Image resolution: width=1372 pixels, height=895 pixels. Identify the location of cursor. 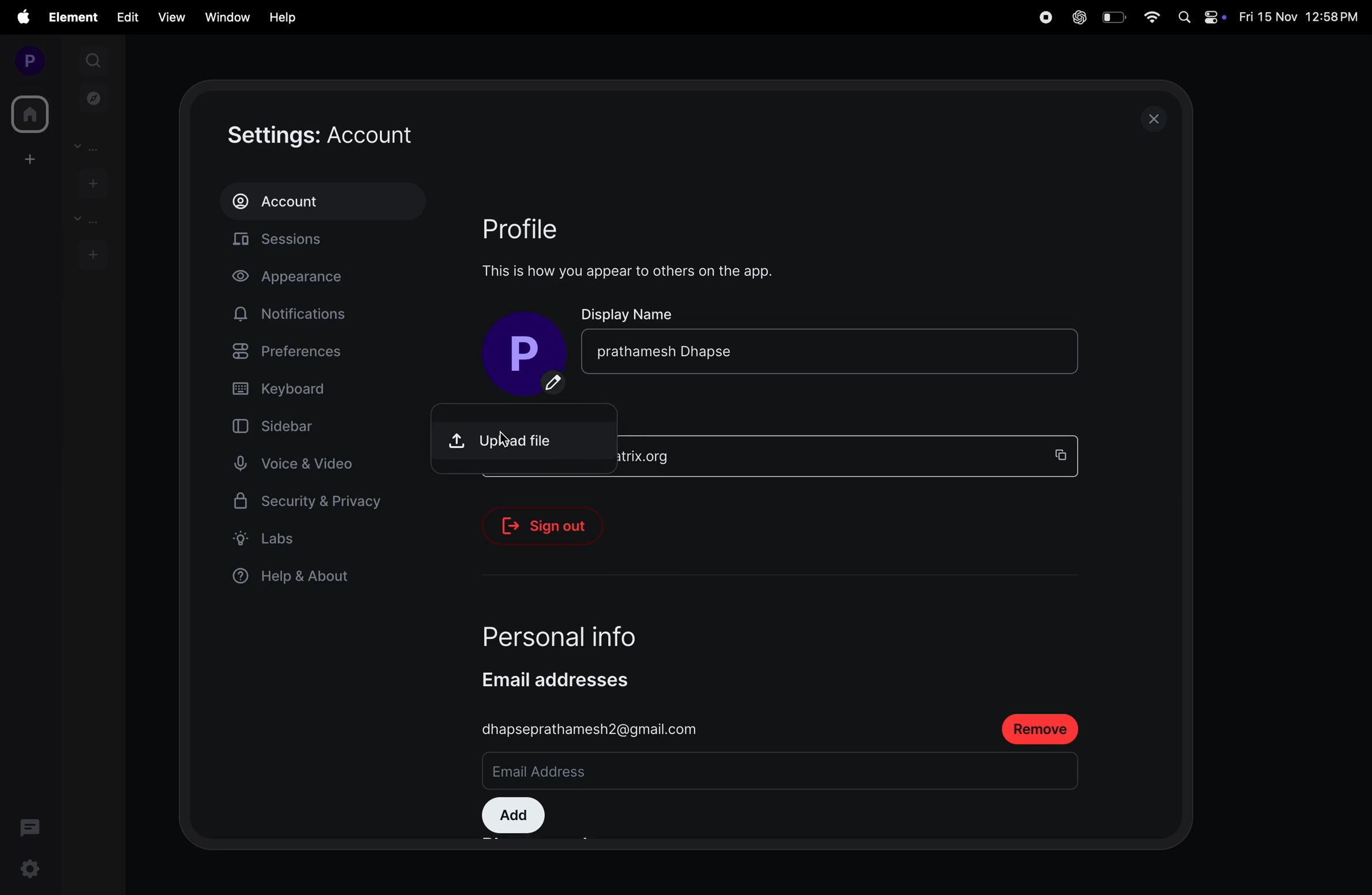
(509, 431).